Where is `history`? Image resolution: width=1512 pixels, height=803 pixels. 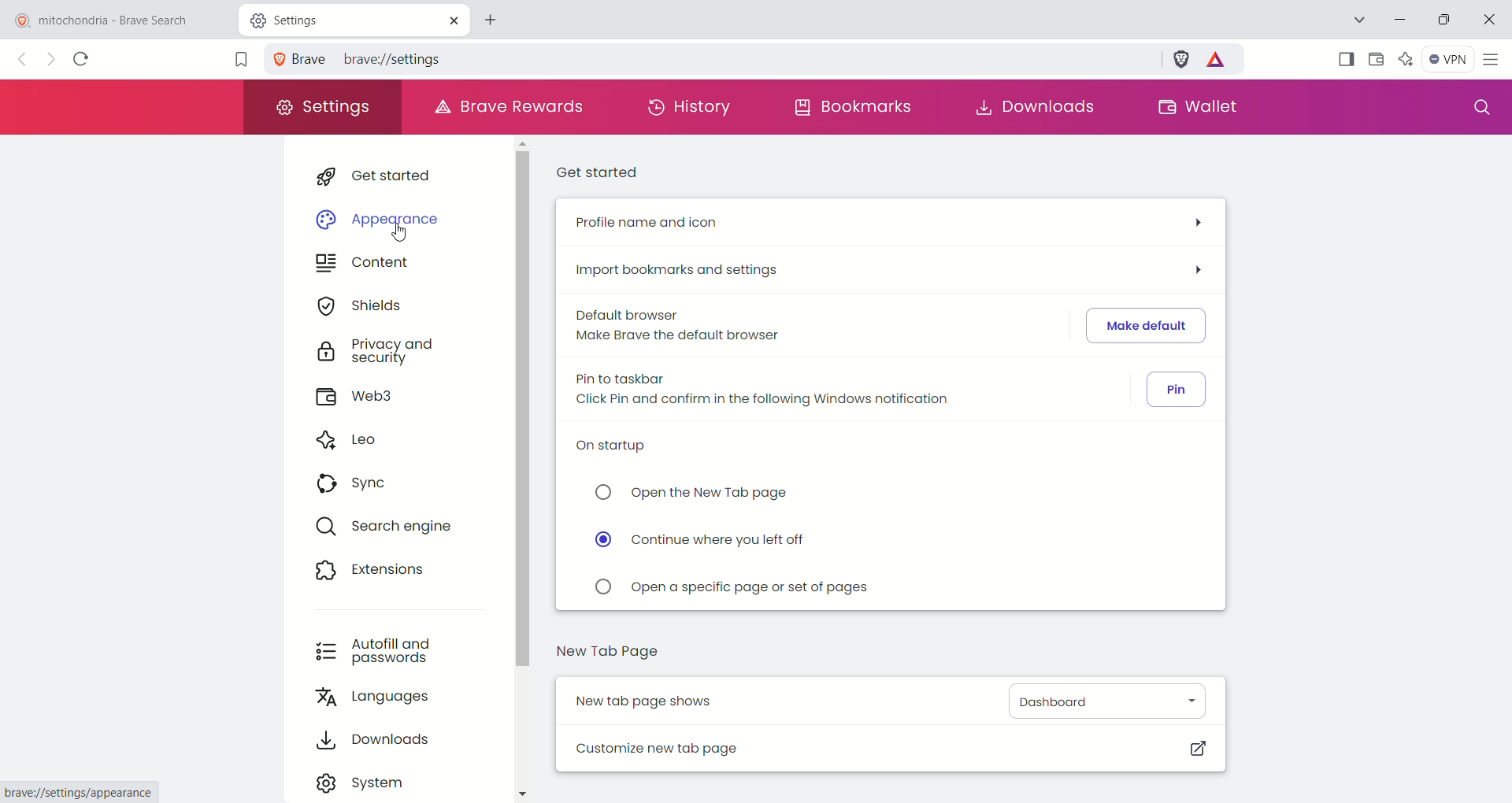 history is located at coordinates (692, 111).